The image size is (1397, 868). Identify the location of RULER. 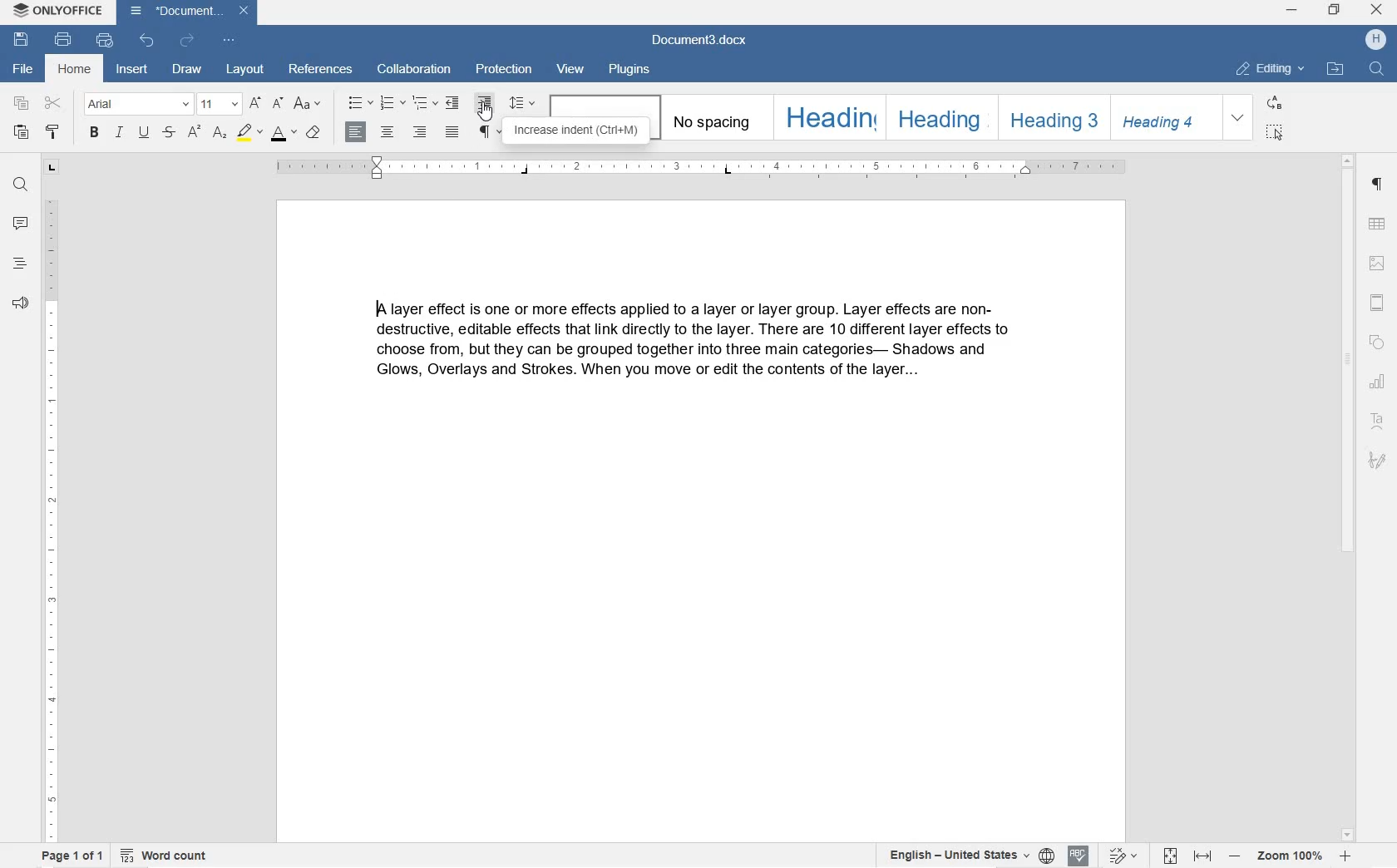
(700, 170).